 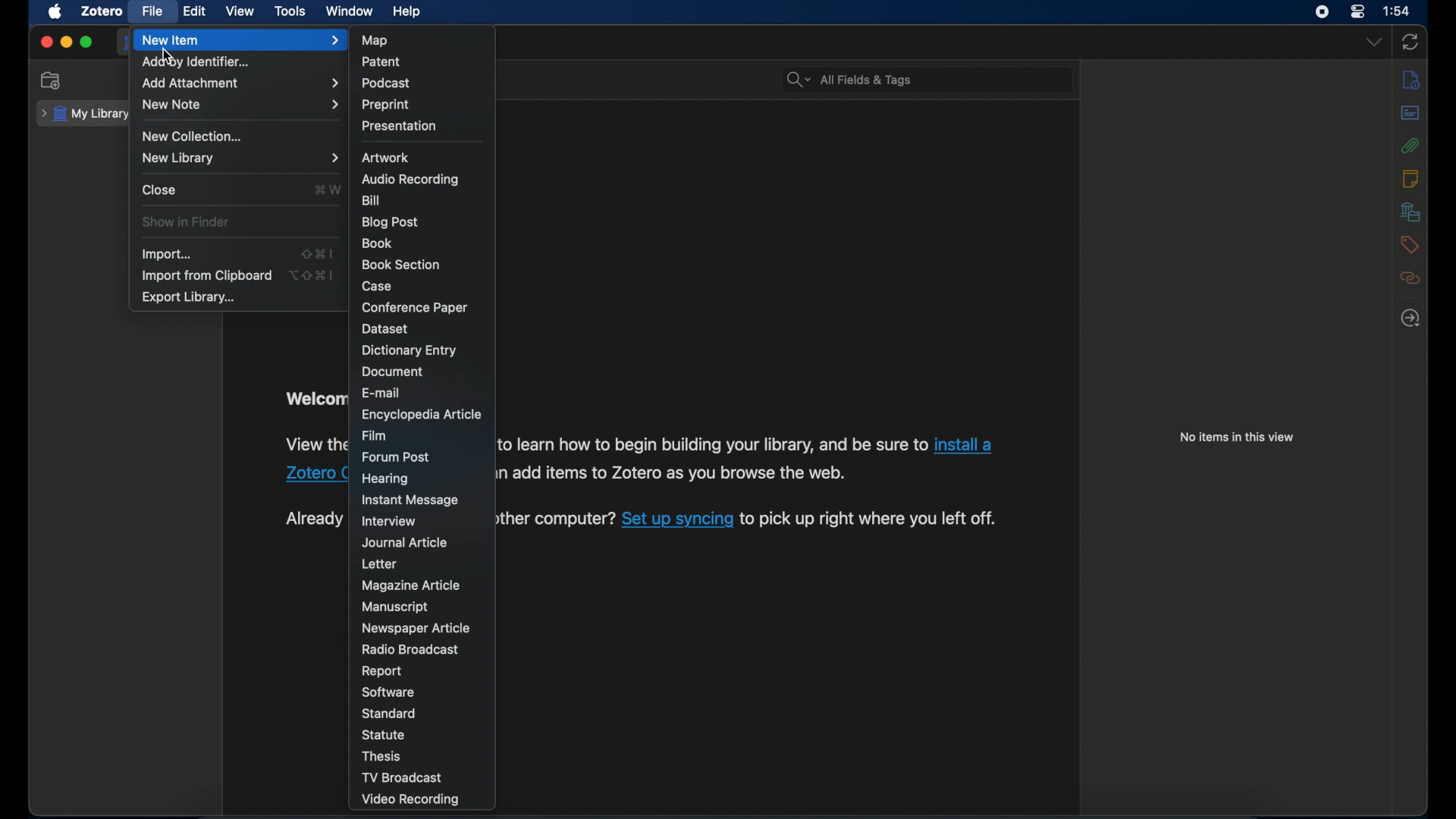 I want to click on interview, so click(x=388, y=522).